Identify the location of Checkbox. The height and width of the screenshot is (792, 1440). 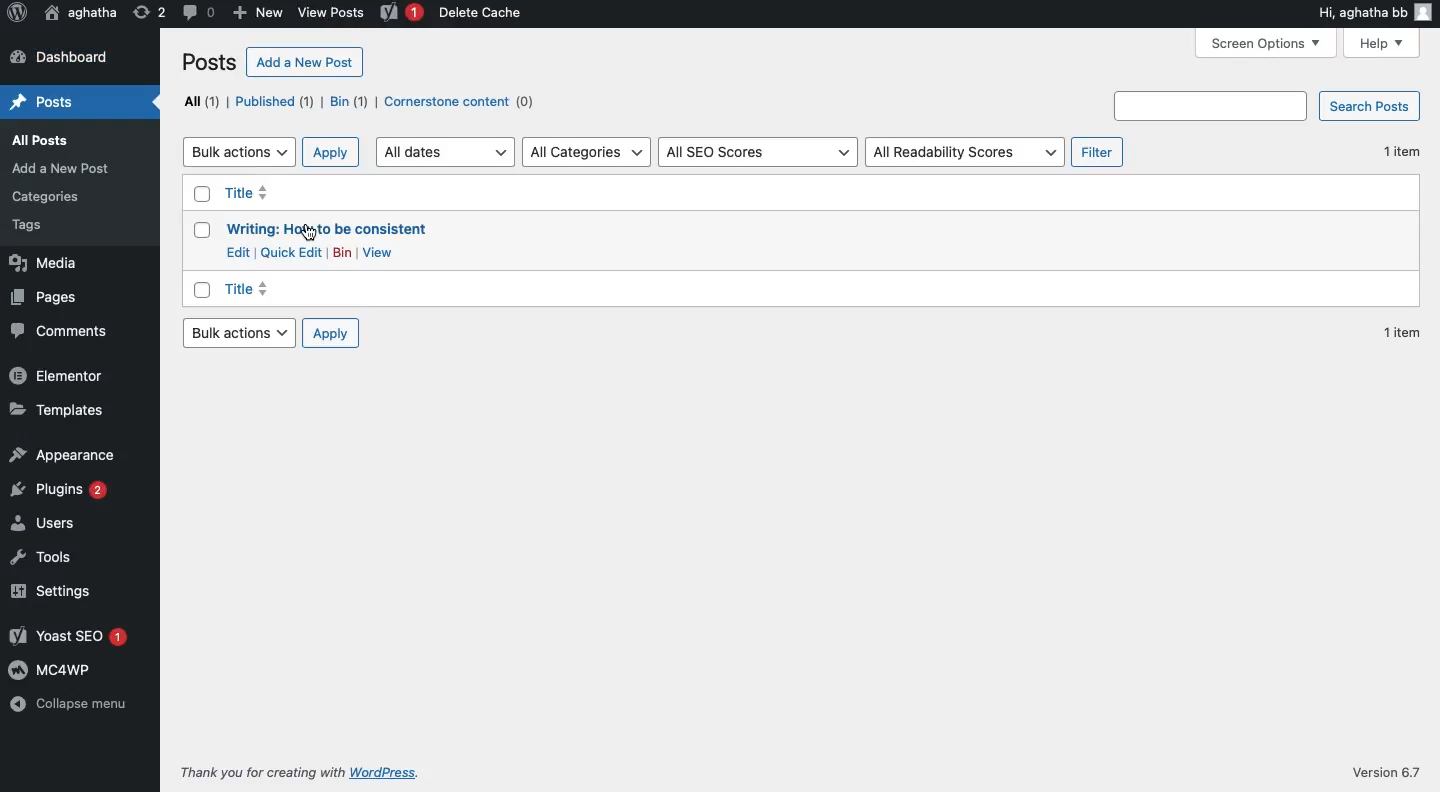
(202, 230).